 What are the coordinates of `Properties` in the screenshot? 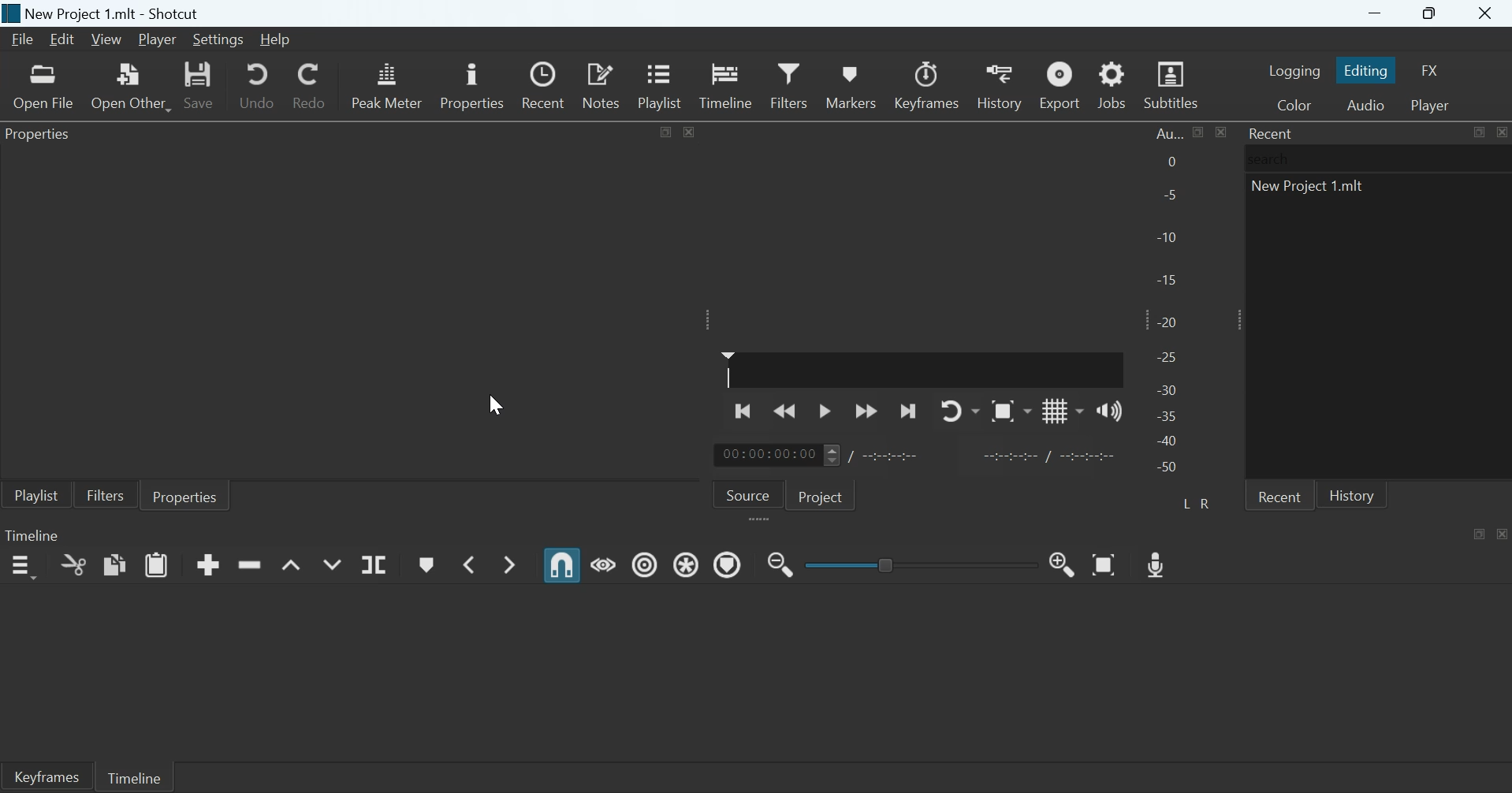 It's located at (185, 495).